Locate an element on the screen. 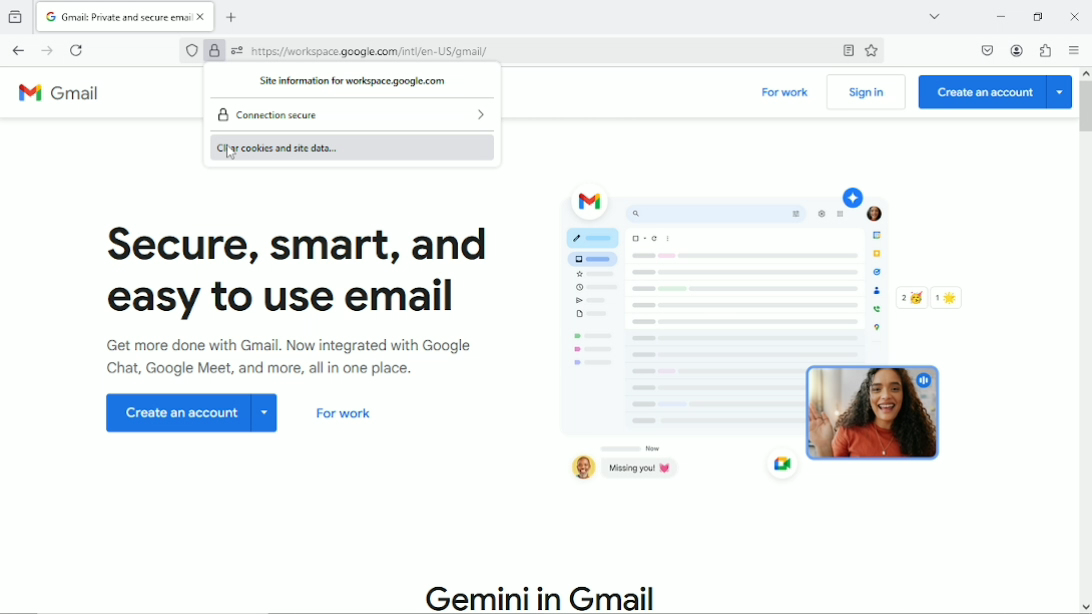 This screenshot has height=614, width=1092. Save to pocket is located at coordinates (986, 50).